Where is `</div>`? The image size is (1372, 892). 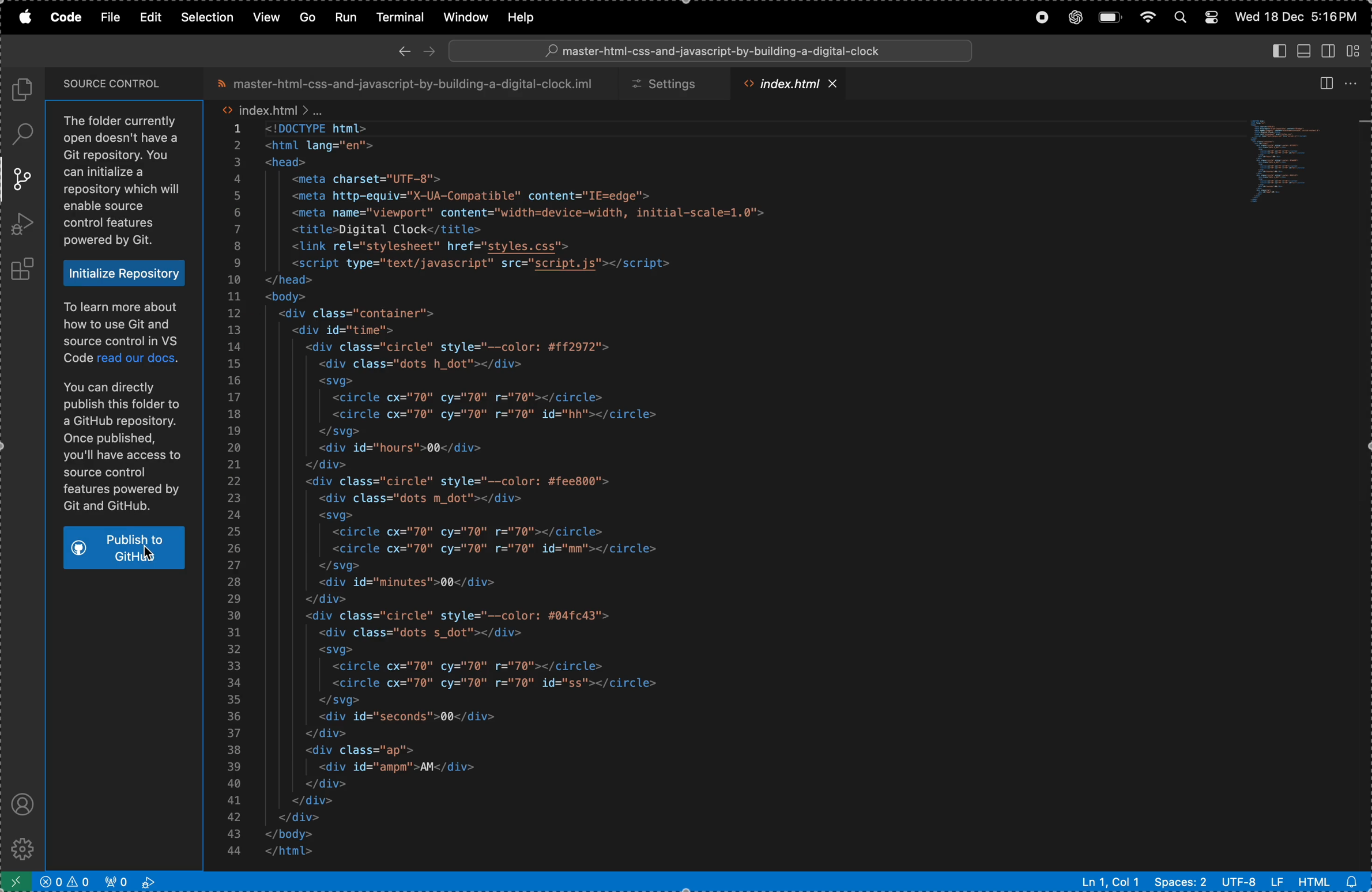
</div> is located at coordinates (307, 817).